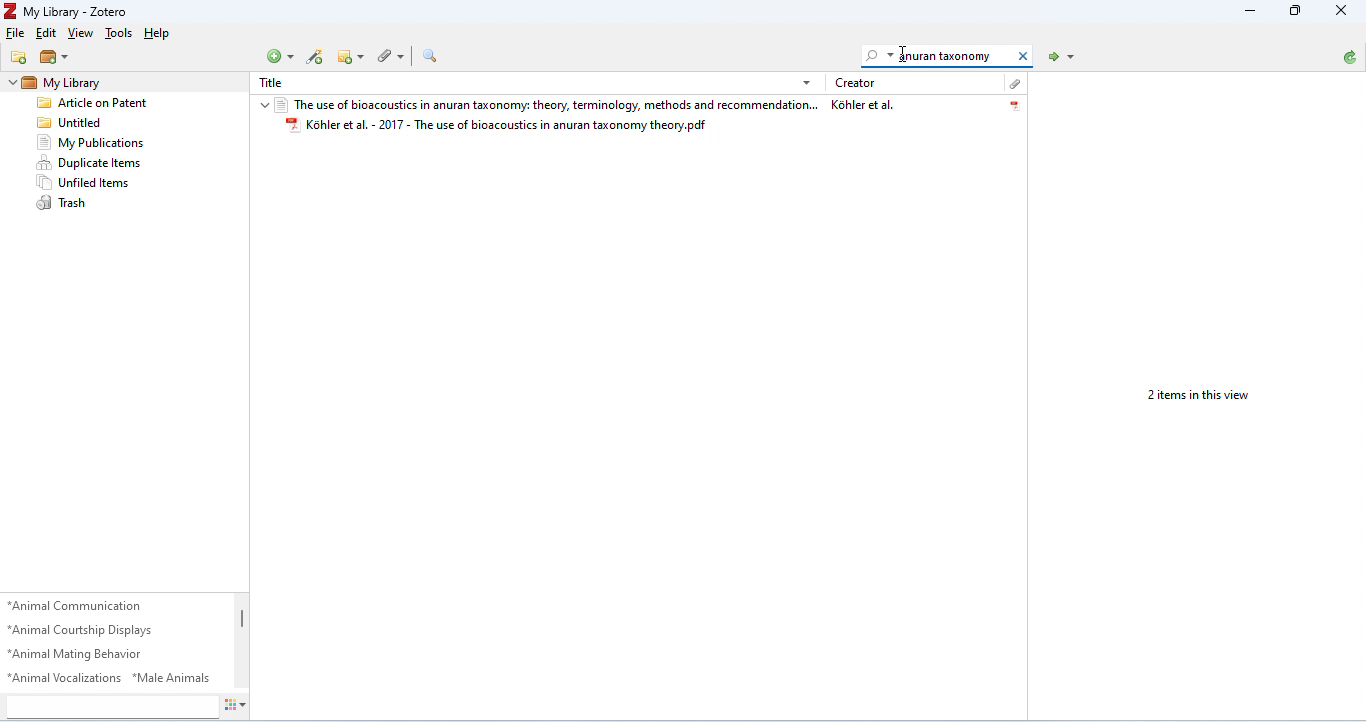 This screenshot has width=1366, height=722. I want to click on Attachment Type, so click(1014, 83).